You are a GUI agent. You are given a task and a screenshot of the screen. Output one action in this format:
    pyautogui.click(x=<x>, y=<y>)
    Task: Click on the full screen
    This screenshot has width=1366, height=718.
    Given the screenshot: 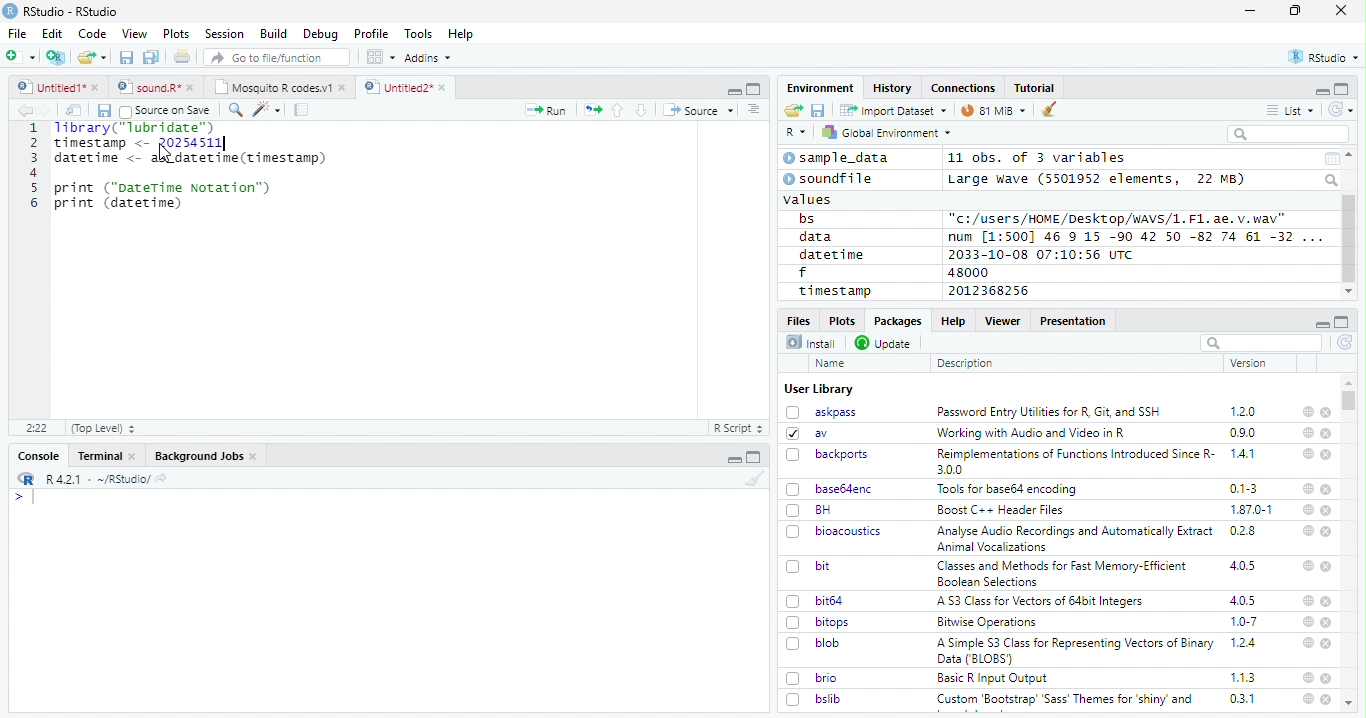 What is the action you would take?
    pyautogui.click(x=1342, y=322)
    